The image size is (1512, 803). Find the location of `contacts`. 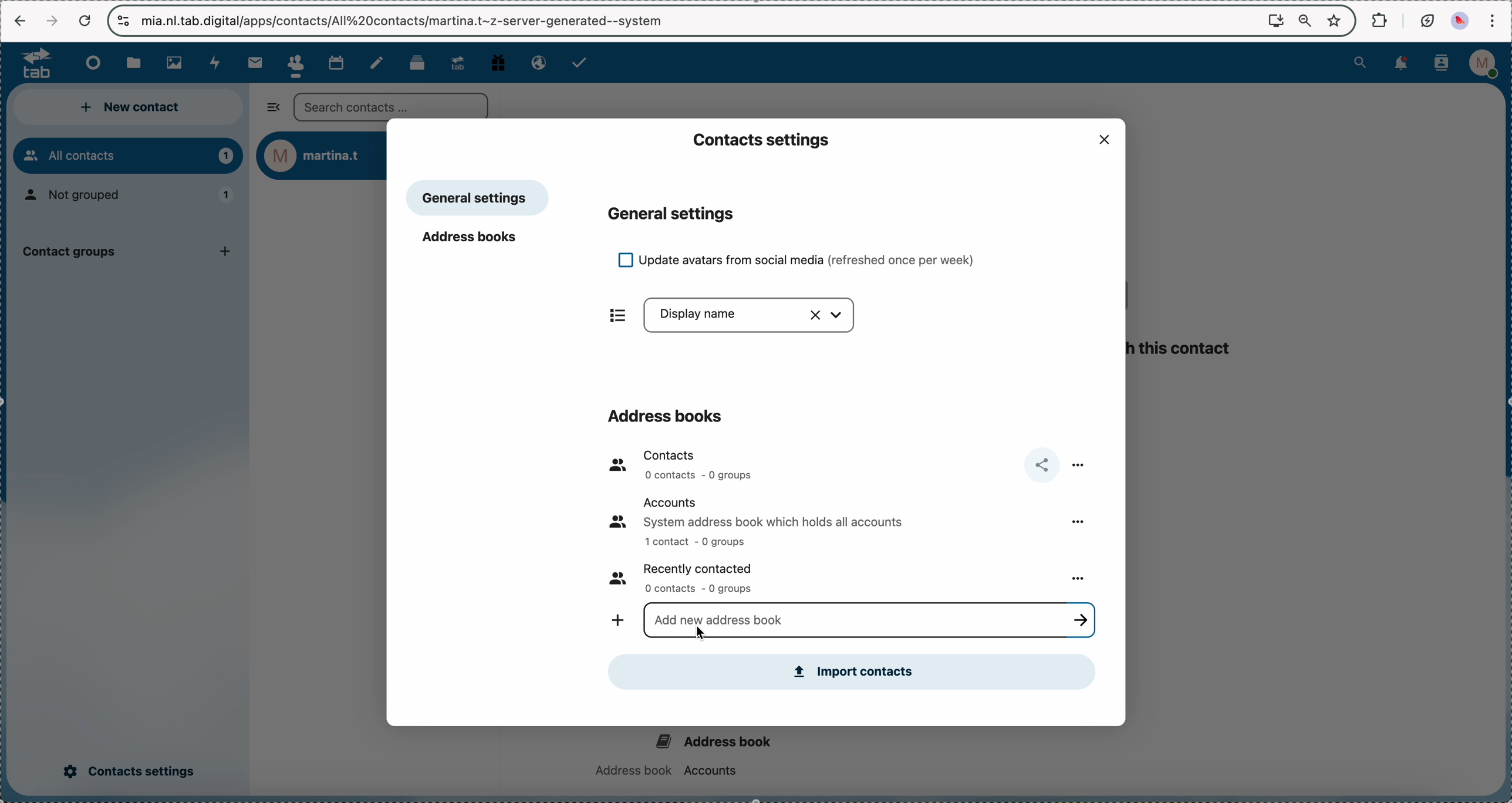

contacts is located at coordinates (1440, 64).